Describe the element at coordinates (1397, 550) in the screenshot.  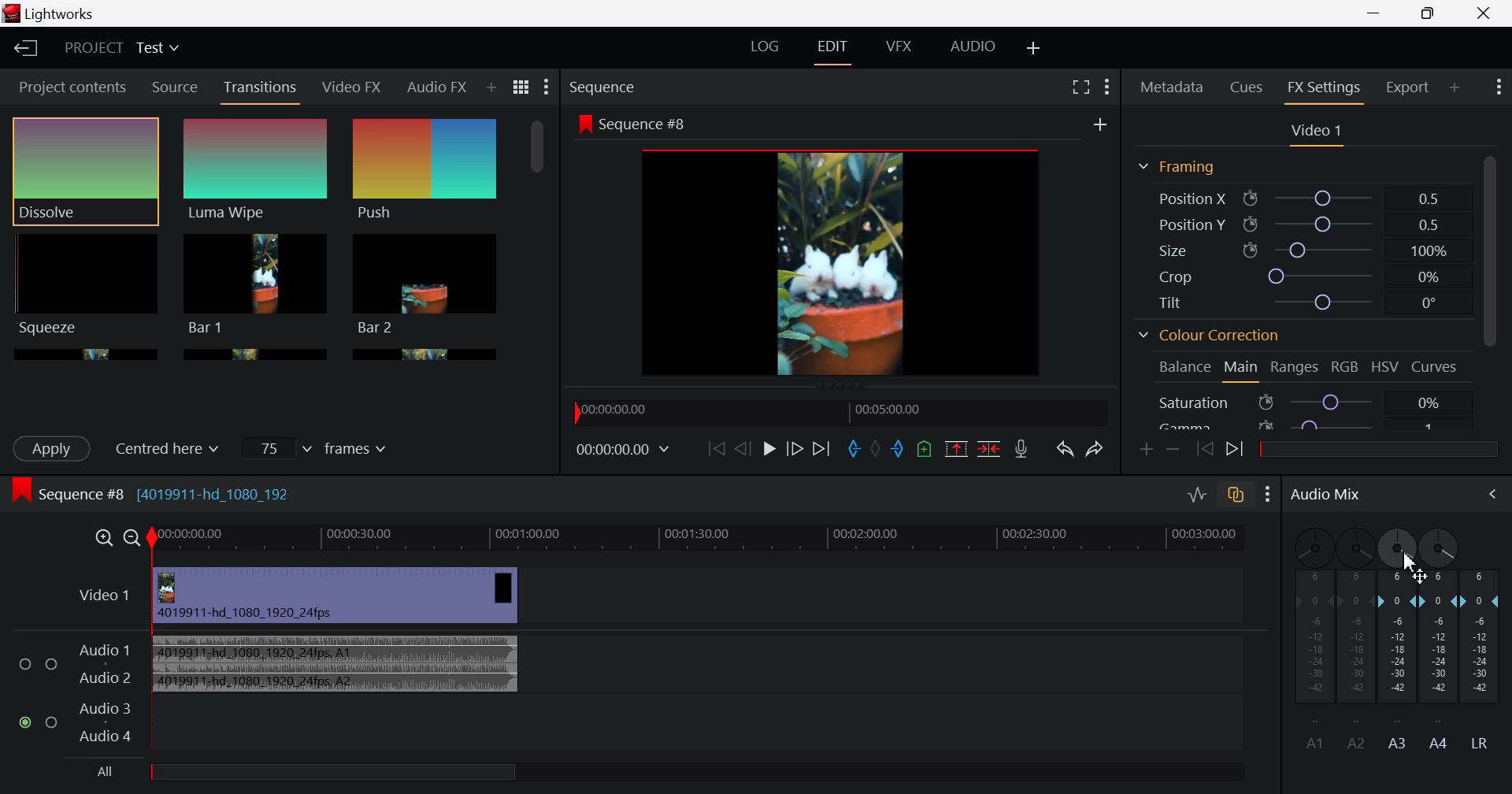
I see `Cursor MOUSE_DOWN on Adjust A3 Pan` at that location.